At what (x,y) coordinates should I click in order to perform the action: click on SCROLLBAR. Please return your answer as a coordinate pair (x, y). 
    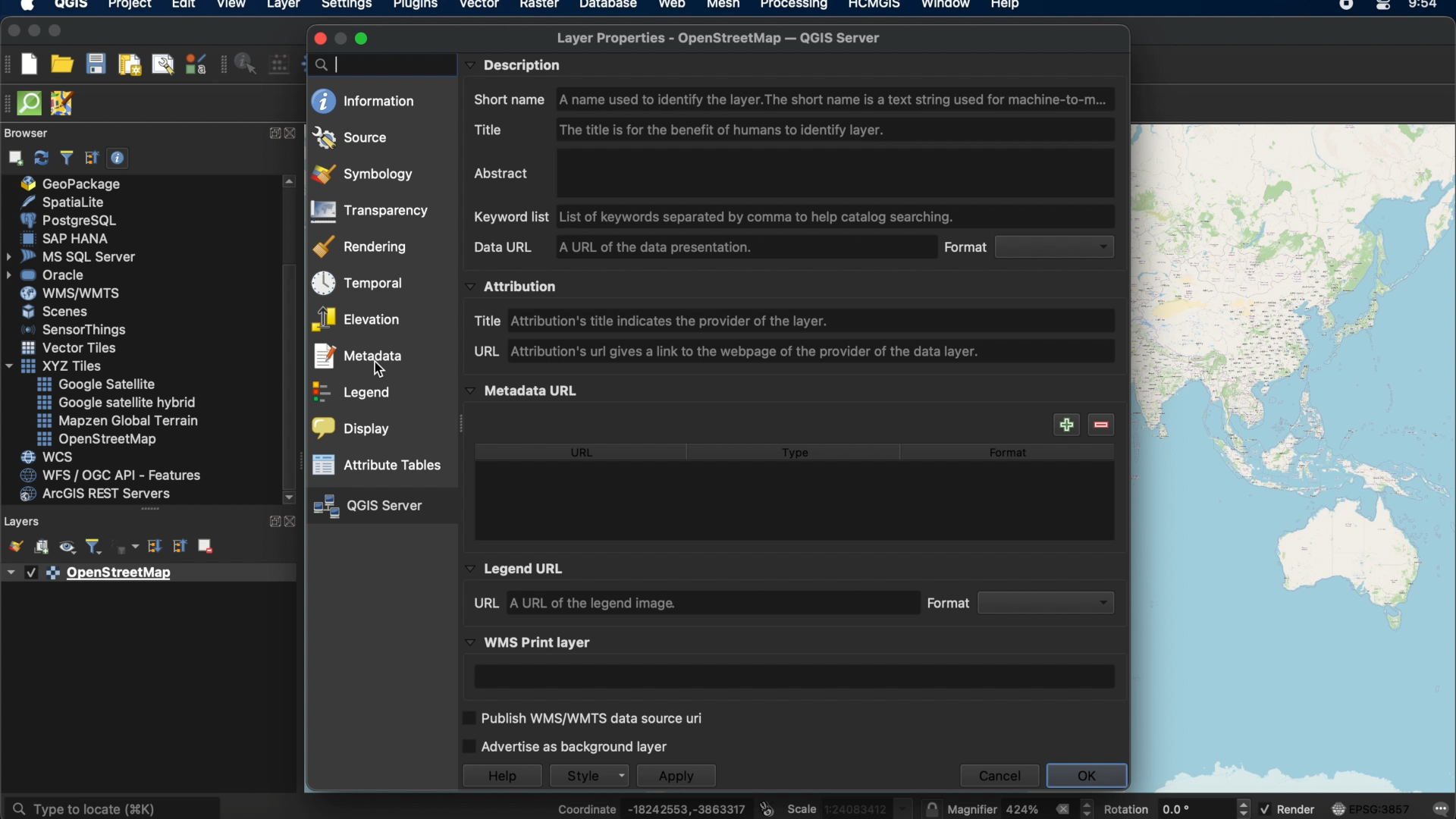
    Looking at the image, I should click on (289, 341).